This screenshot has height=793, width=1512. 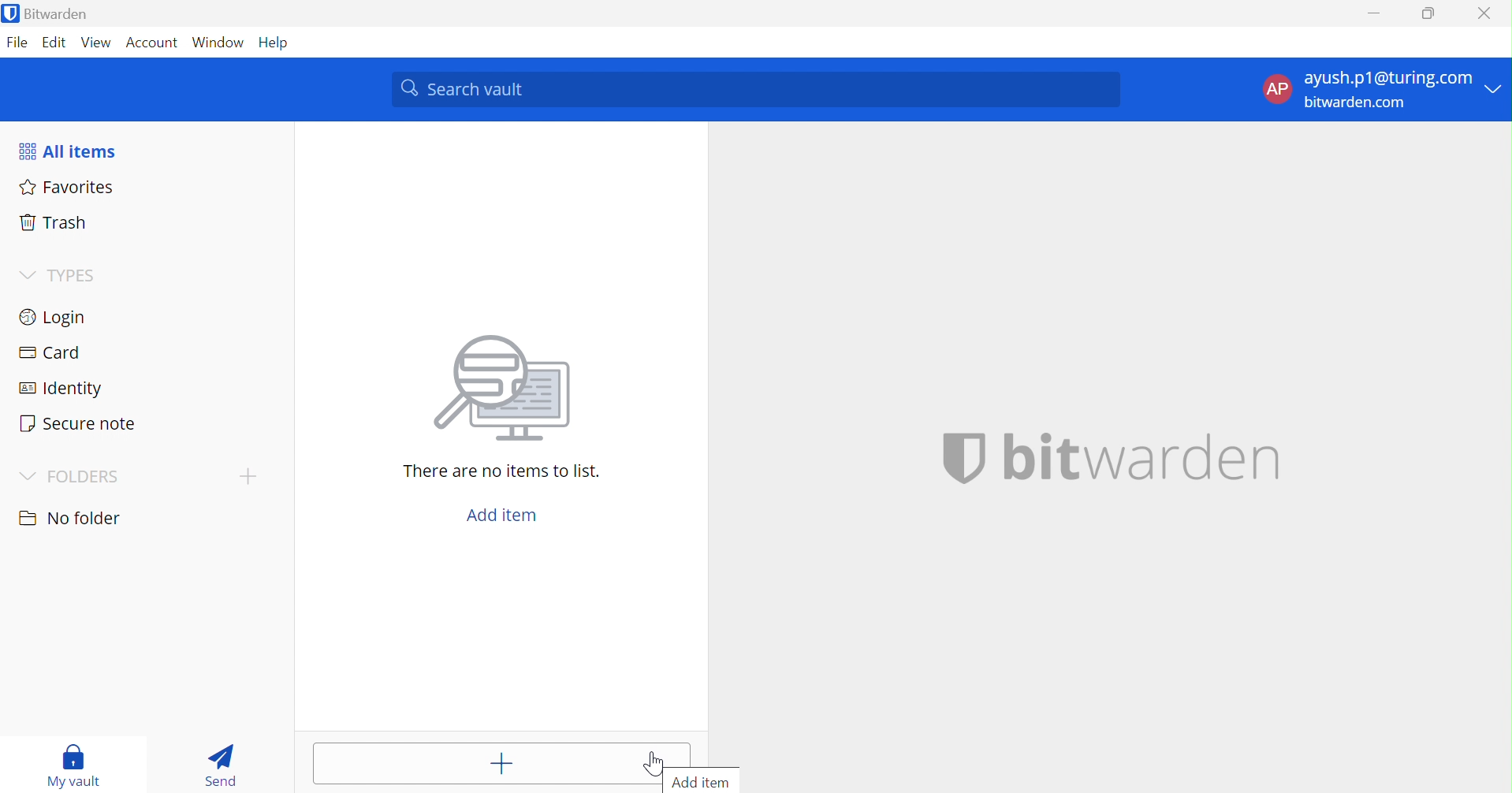 What do you see at coordinates (496, 393) in the screenshot?
I see `image` at bounding box center [496, 393].